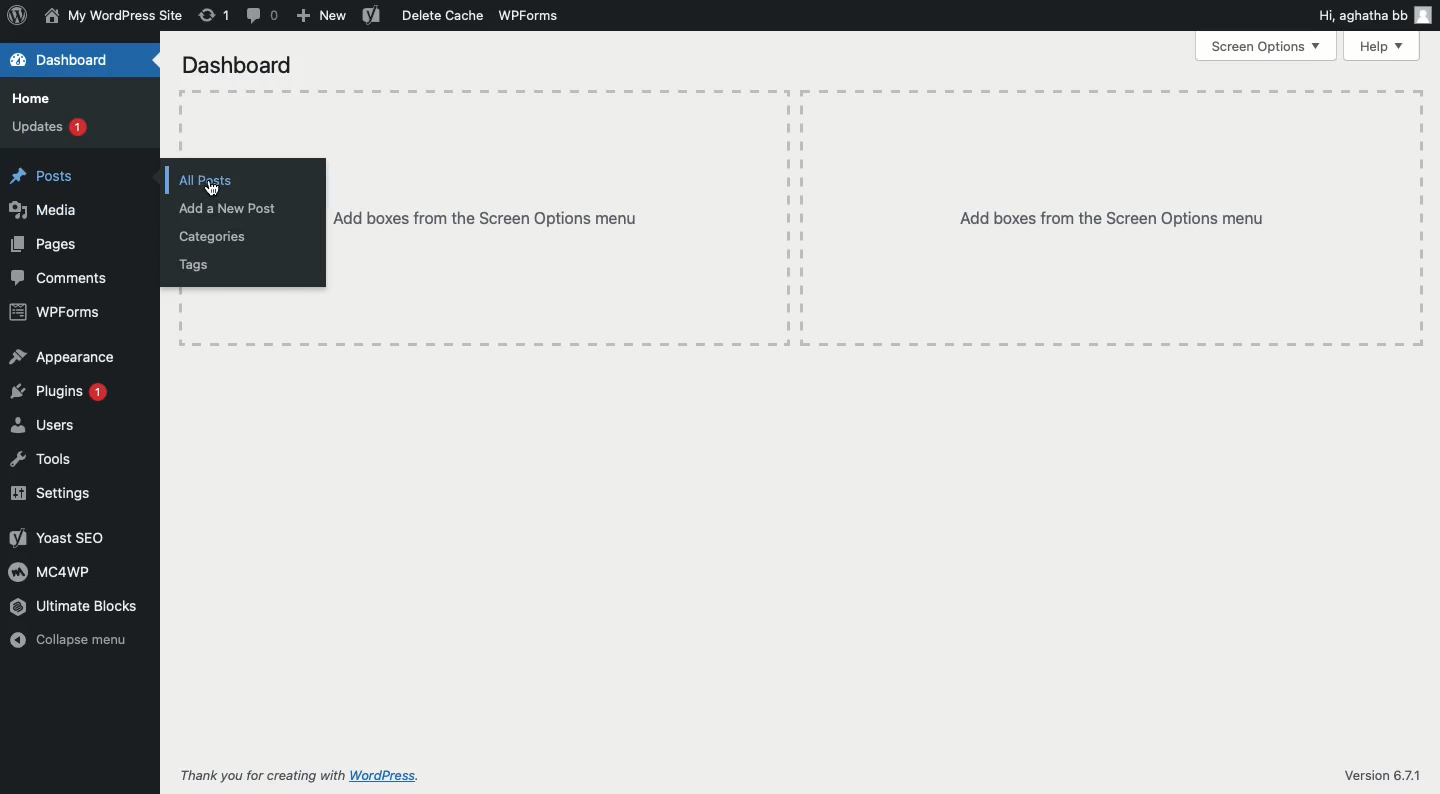 The height and width of the screenshot is (794, 1440). I want to click on Pages, so click(50, 247).